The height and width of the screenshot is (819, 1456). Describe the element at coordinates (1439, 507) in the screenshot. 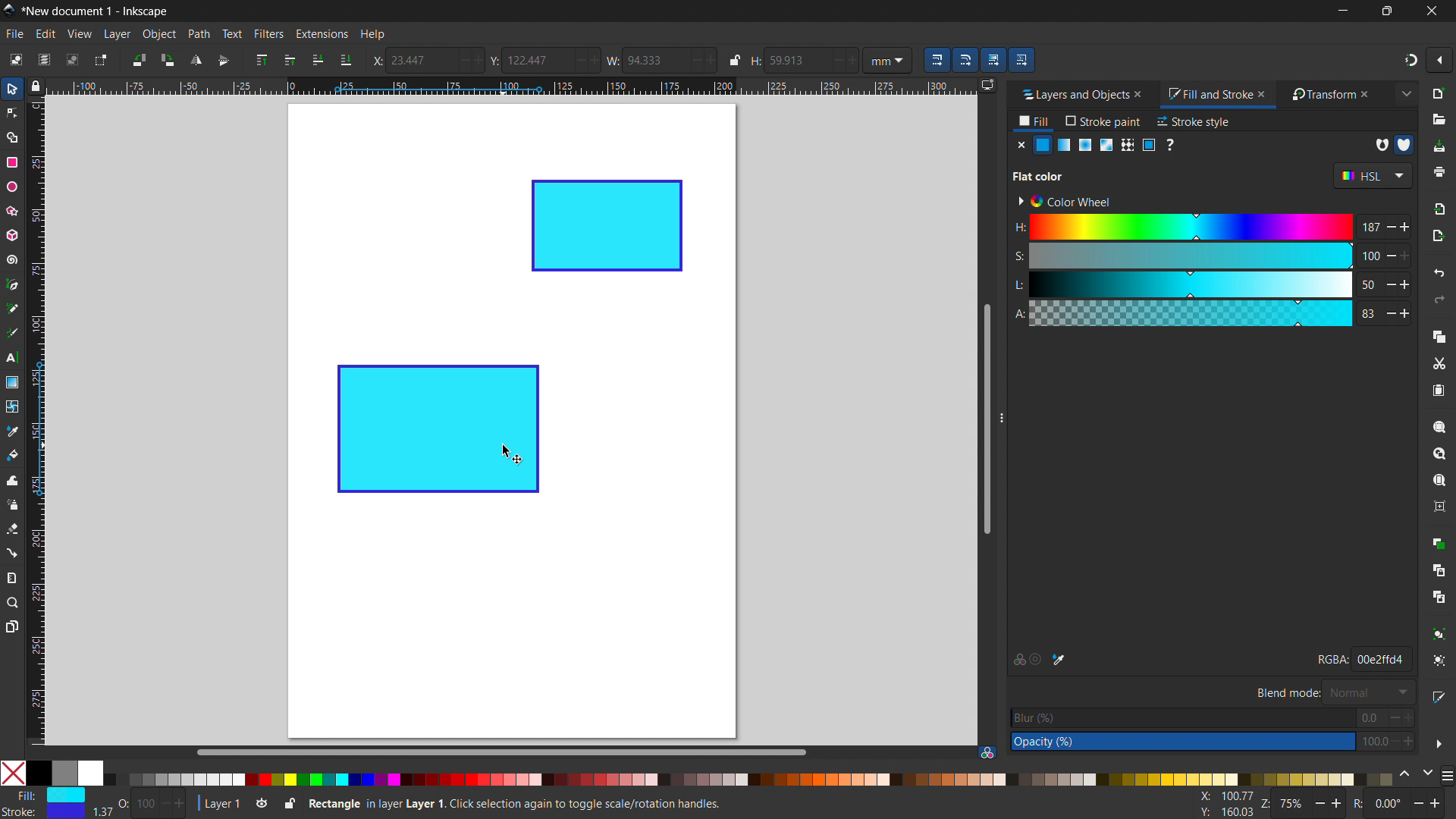

I see `zoom center page` at that location.